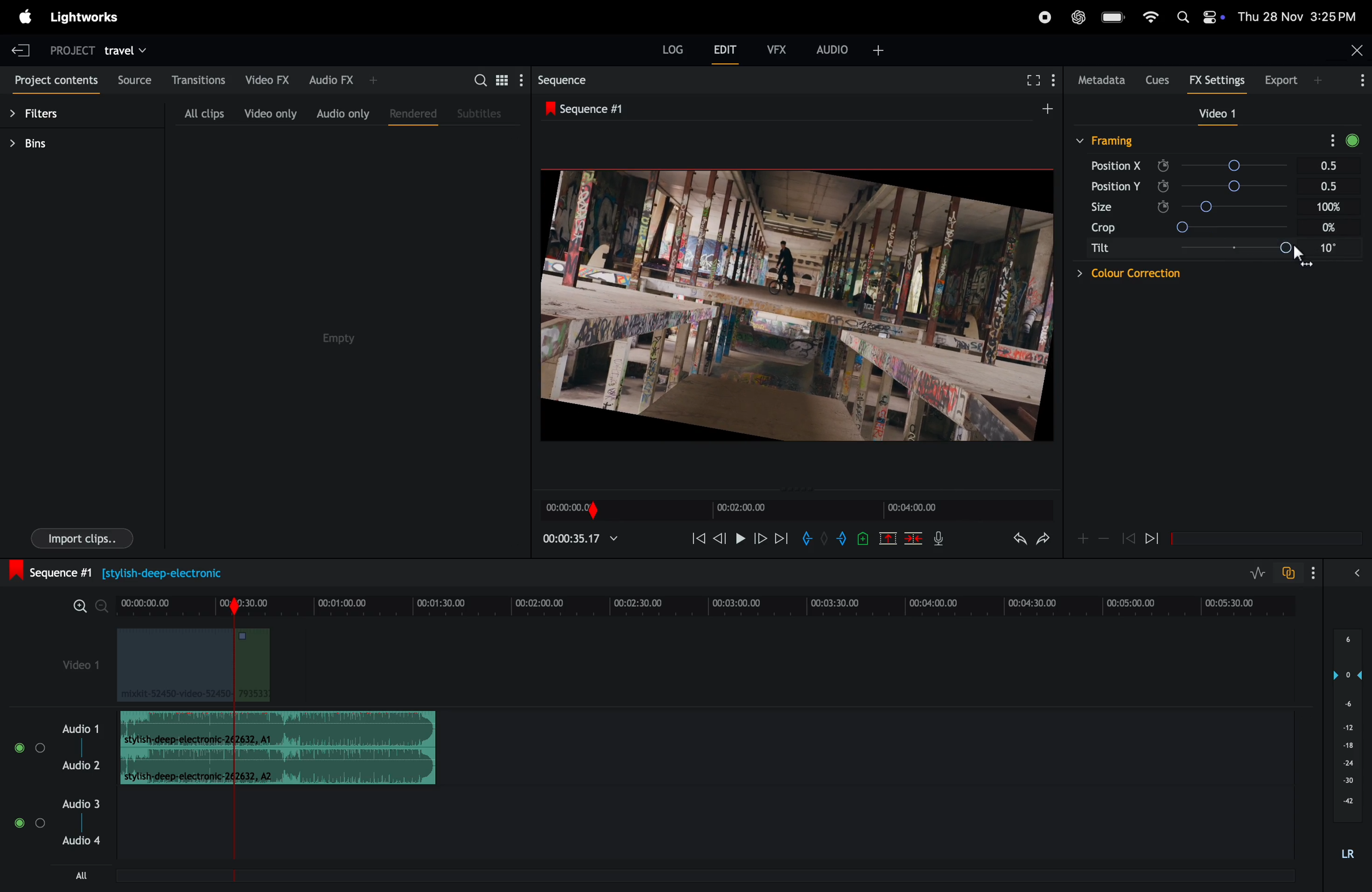 This screenshot has width=1372, height=892. Describe the element at coordinates (74, 48) in the screenshot. I see `project` at that location.